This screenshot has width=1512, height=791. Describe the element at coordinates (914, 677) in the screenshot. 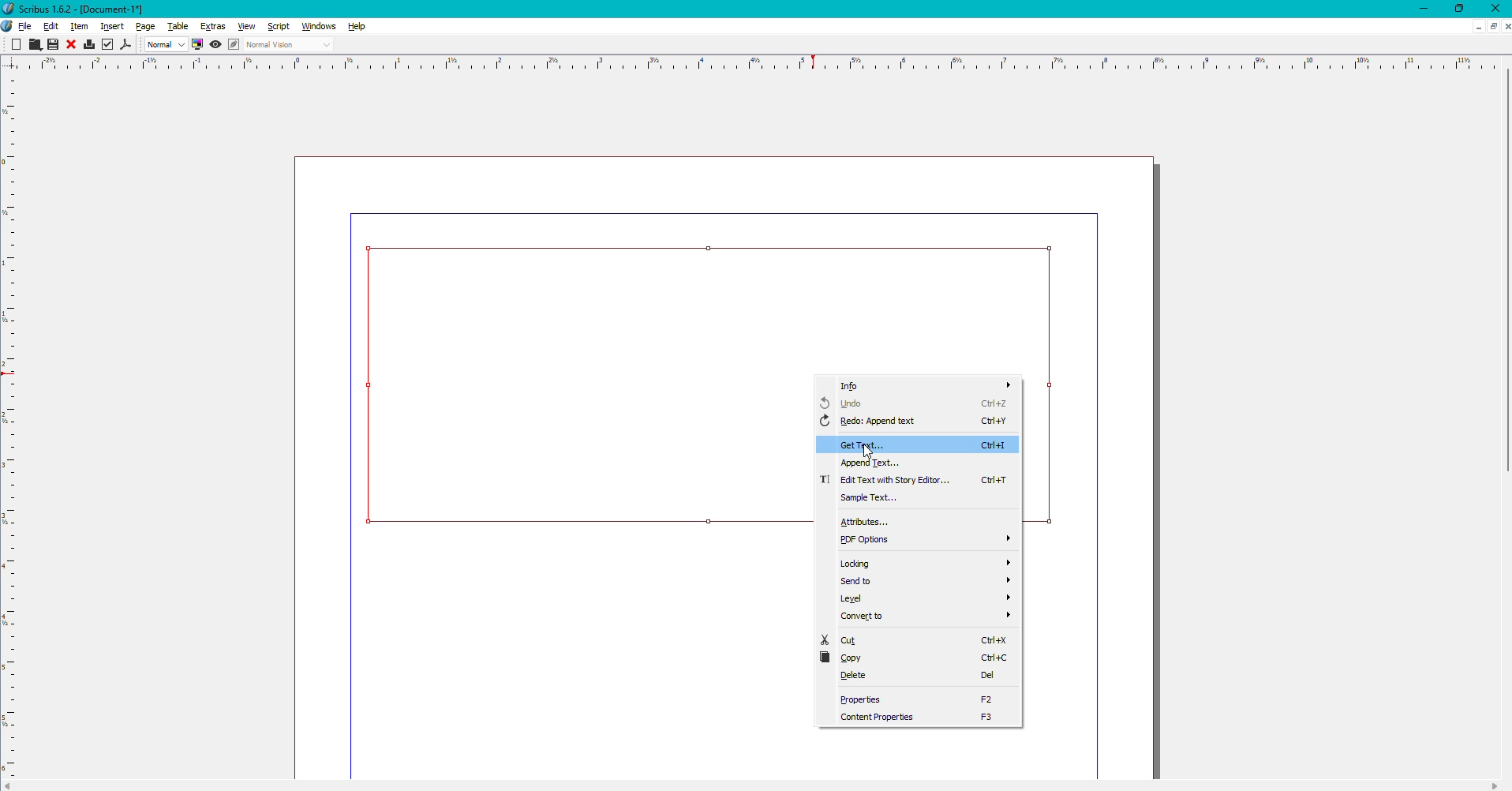

I see `Delete` at that location.